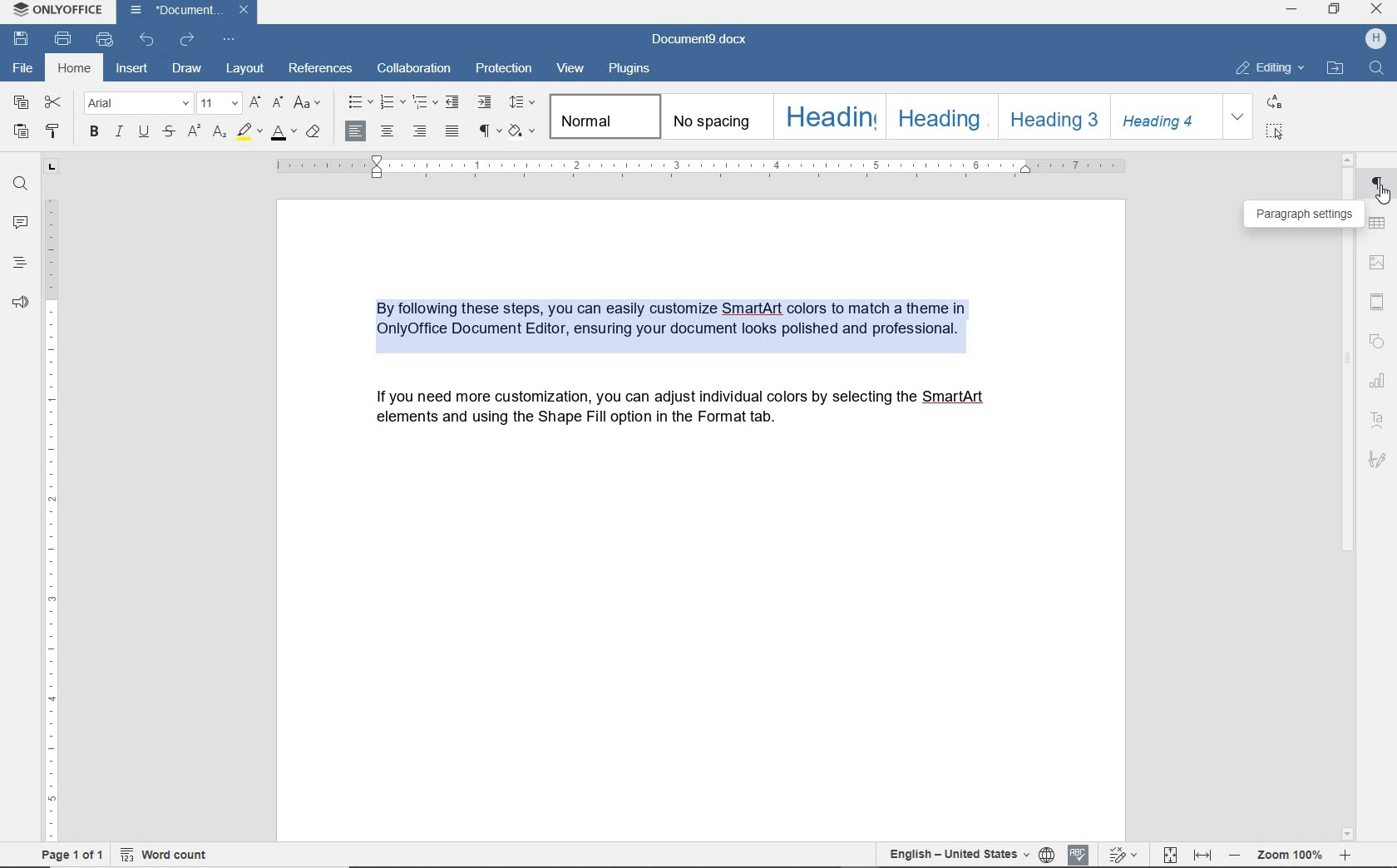  I want to click on shading, so click(522, 131).